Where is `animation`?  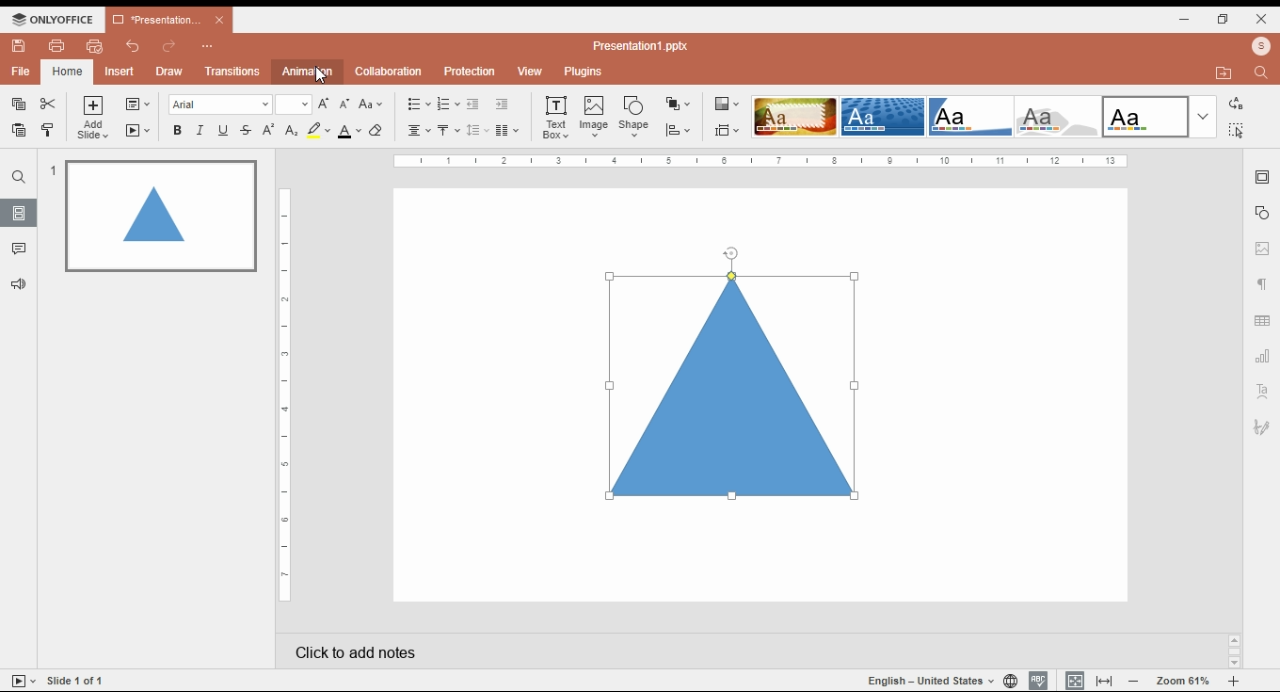
animation is located at coordinates (308, 71).